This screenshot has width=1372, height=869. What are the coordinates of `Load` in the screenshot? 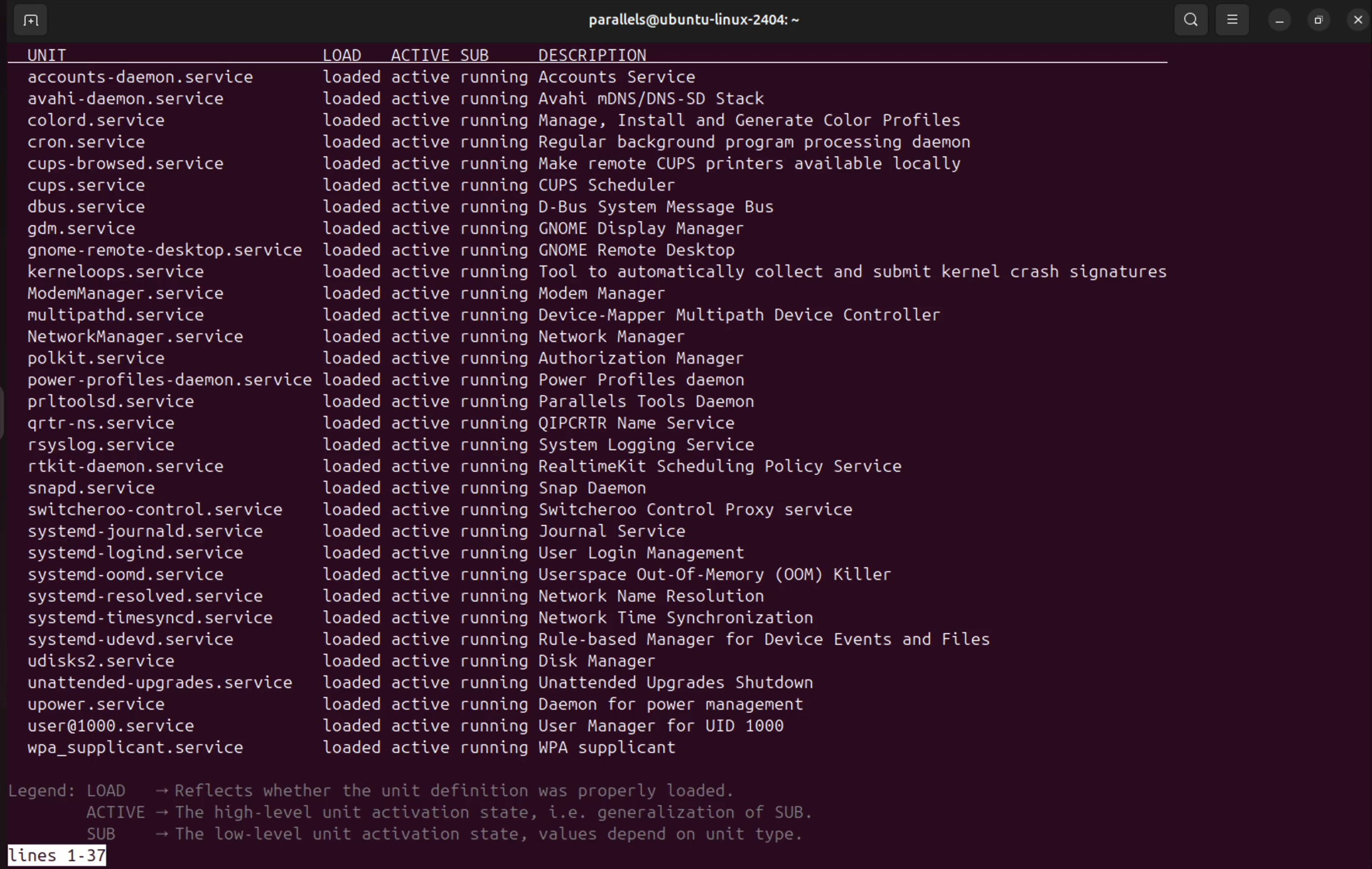 It's located at (342, 53).